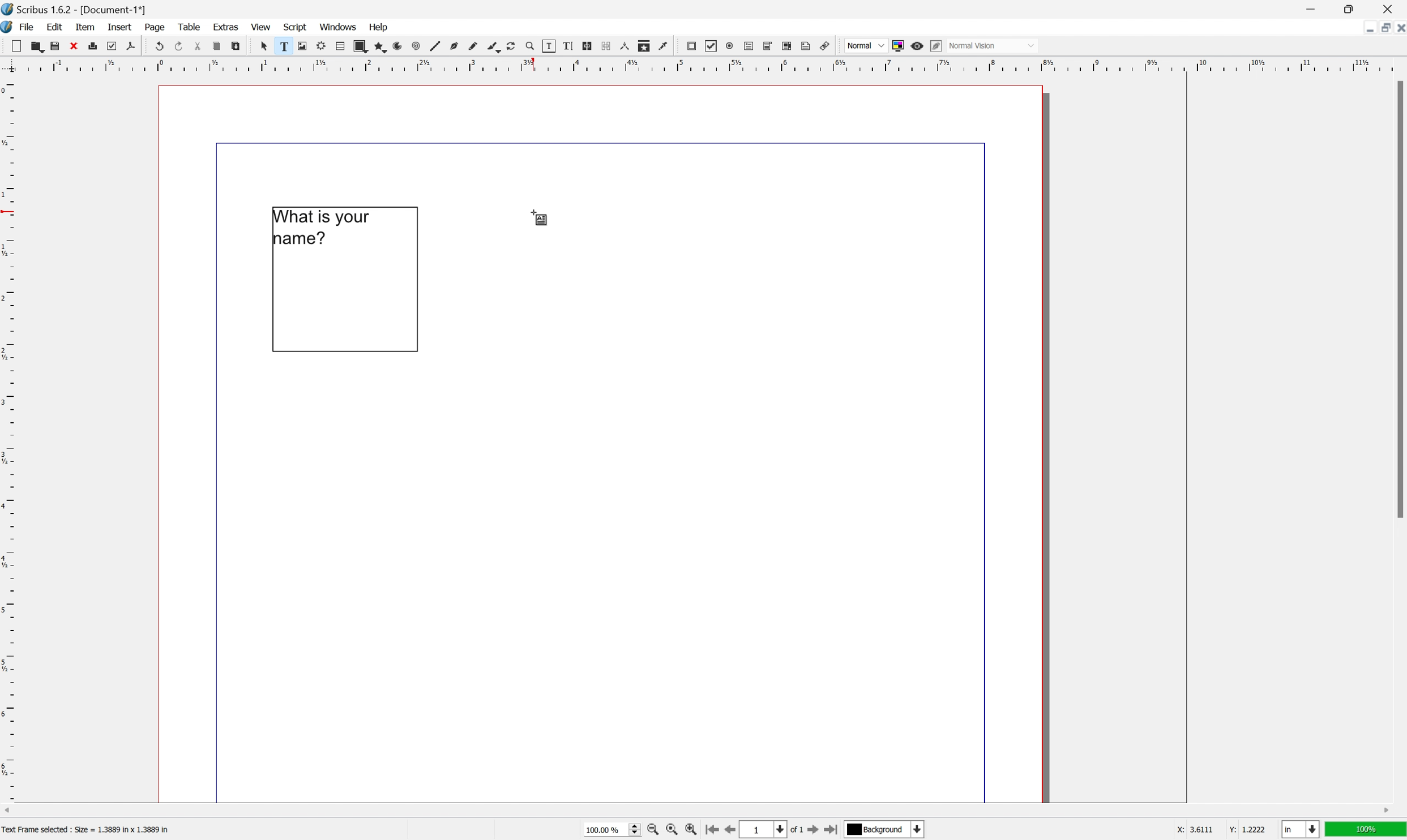 This screenshot has width=1407, height=840. Describe the element at coordinates (339, 27) in the screenshot. I see `windows` at that location.